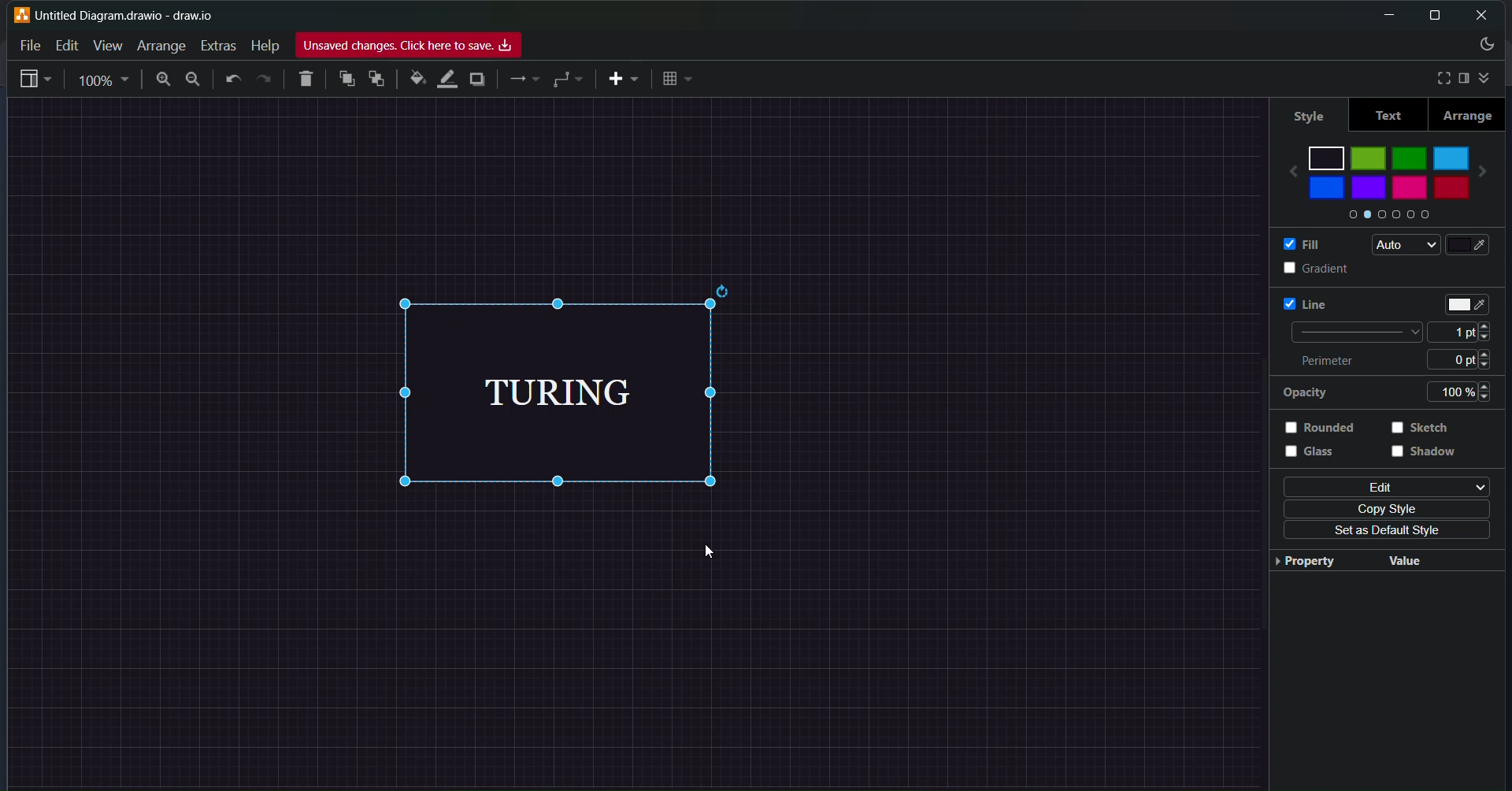  What do you see at coordinates (35, 81) in the screenshot?
I see `sidebar` at bounding box center [35, 81].